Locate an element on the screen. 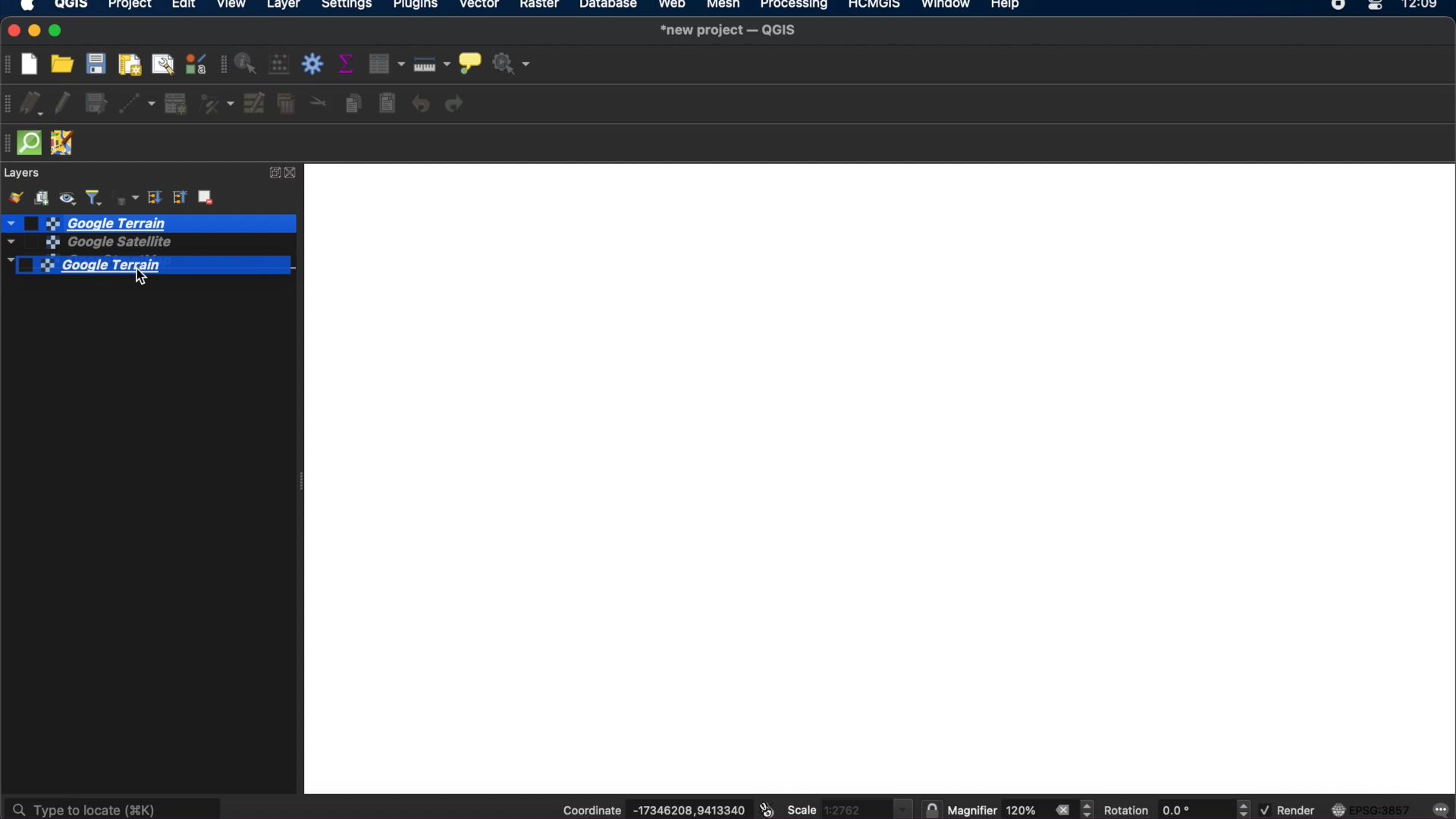 Image resolution: width=1456 pixels, height=819 pixels. filter legend by expression is located at coordinates (124, 196).